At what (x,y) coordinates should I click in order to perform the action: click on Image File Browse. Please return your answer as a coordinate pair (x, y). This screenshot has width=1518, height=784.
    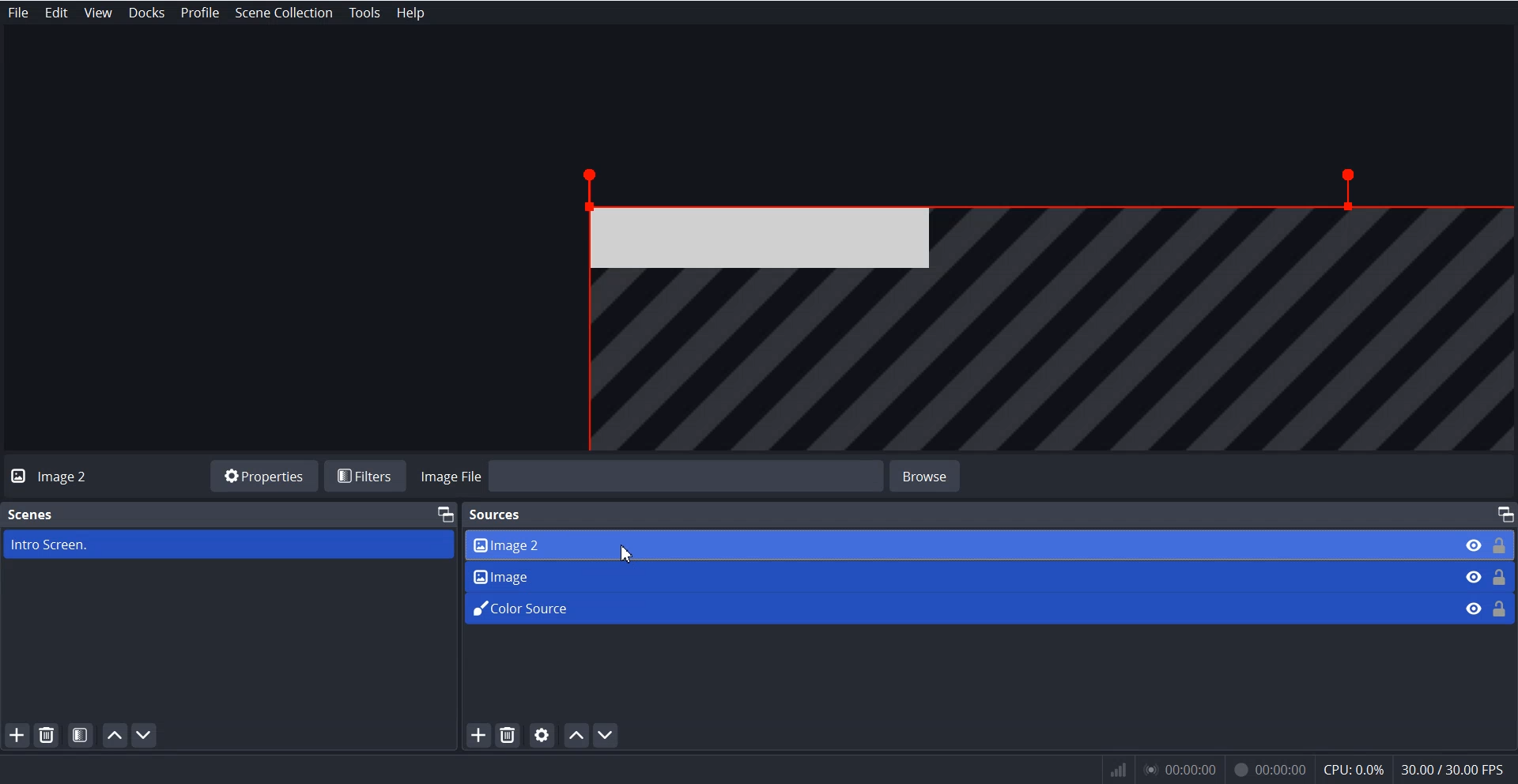
    Looking at the image, I should click on (651, 476).